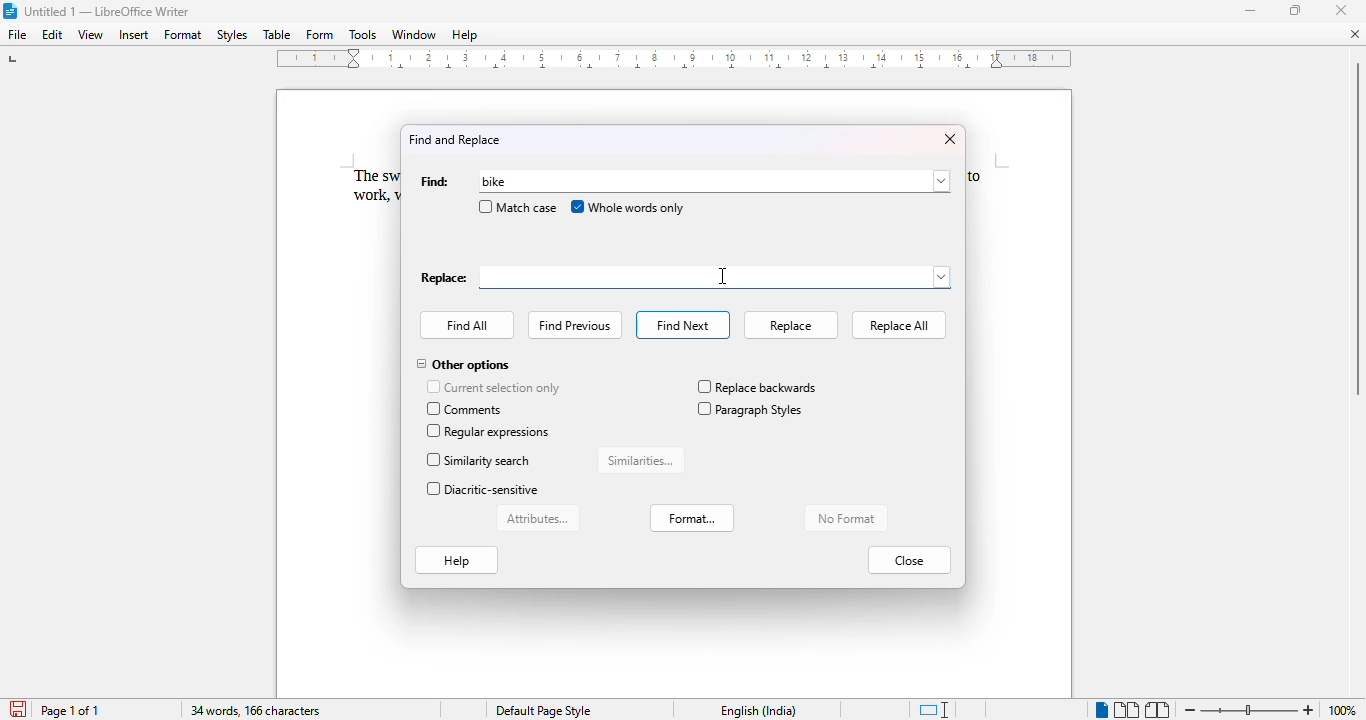 This screenshot has height=720, width=1366. Describe the element at coordinates (715, 277) in the screenshot. I see `typing` at that location.